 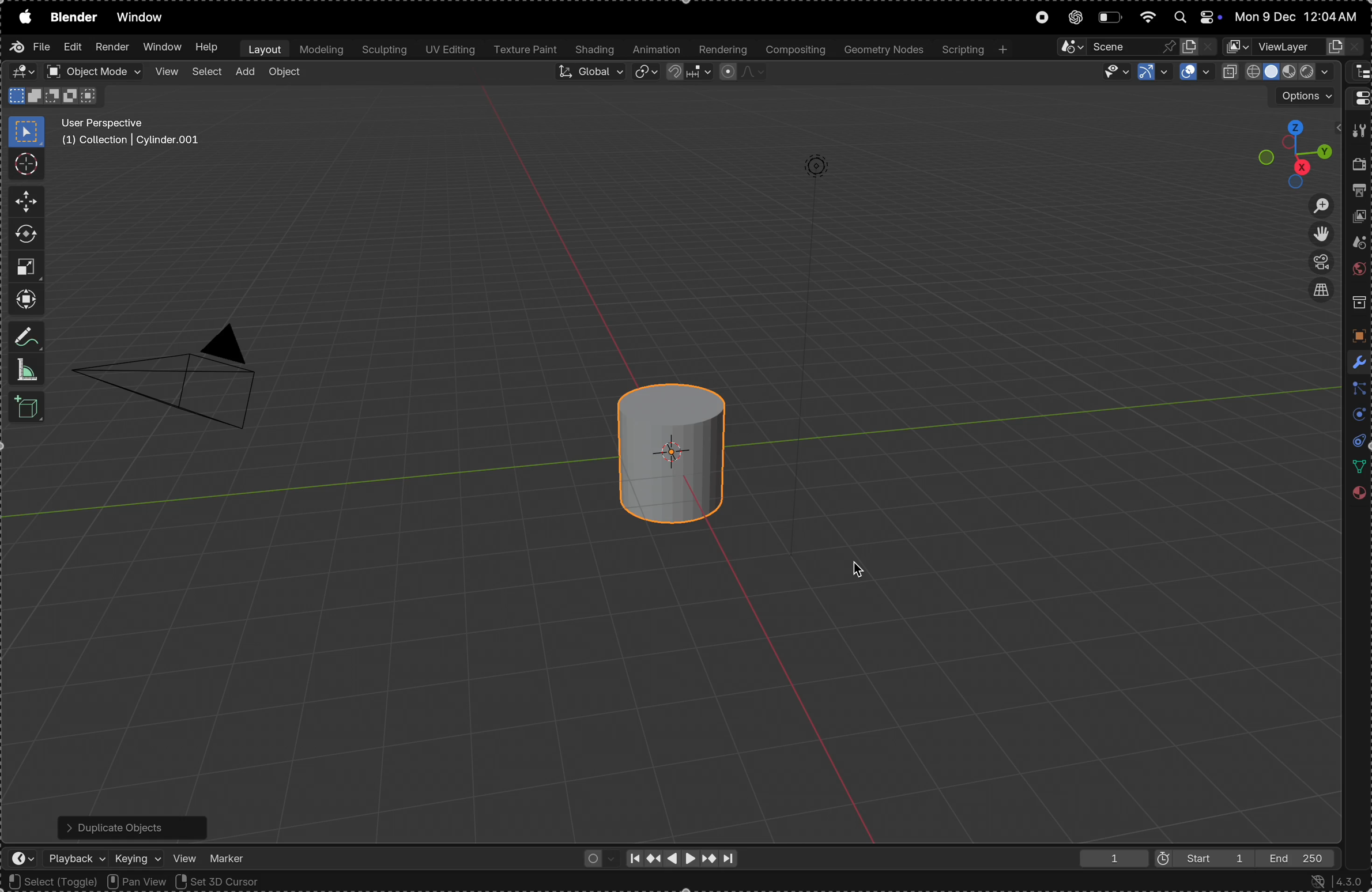 I want to click on User perspective, so click(x=133, y=132).